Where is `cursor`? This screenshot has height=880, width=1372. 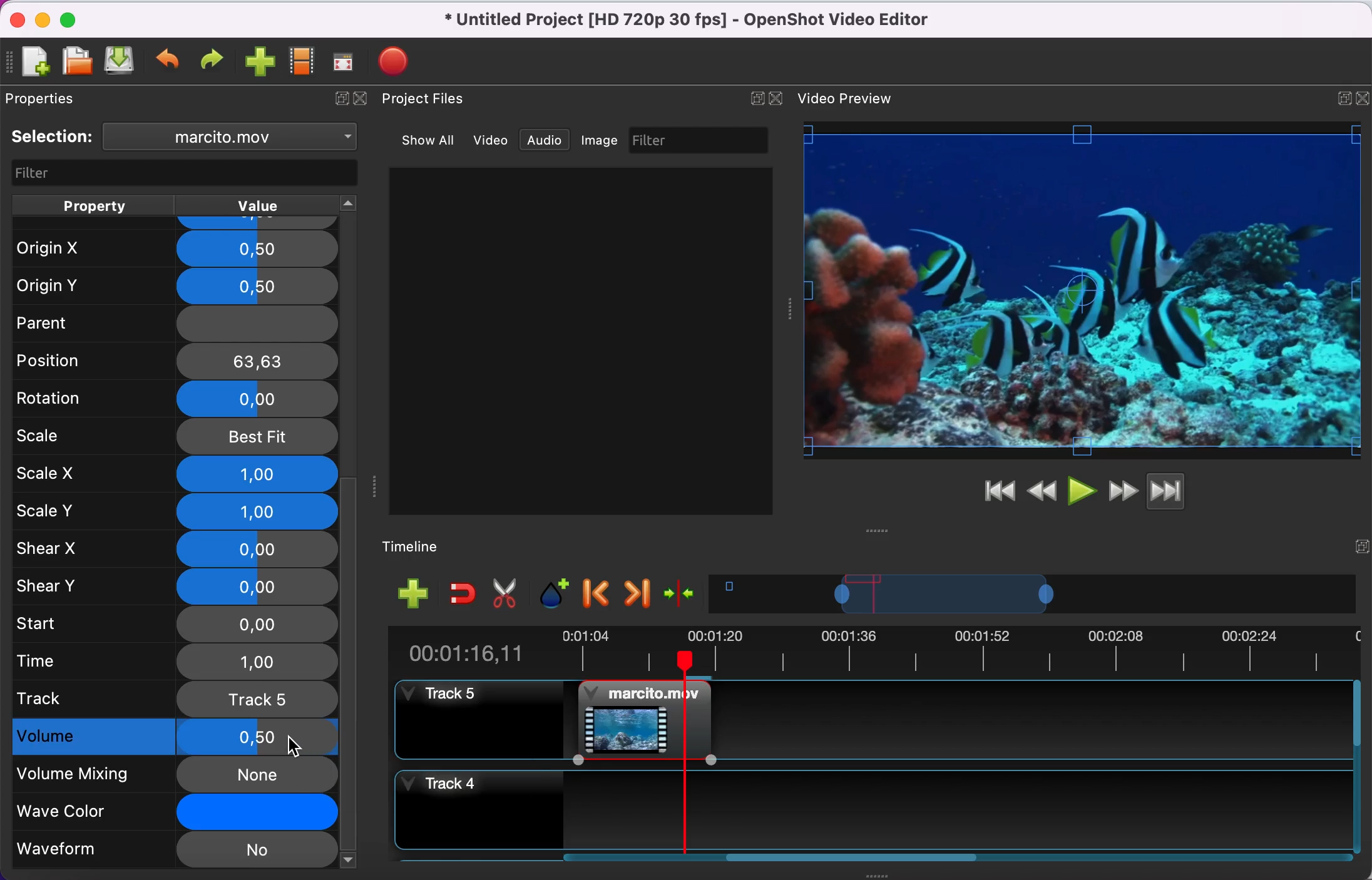 cursor is located at coordinates (295, 745).